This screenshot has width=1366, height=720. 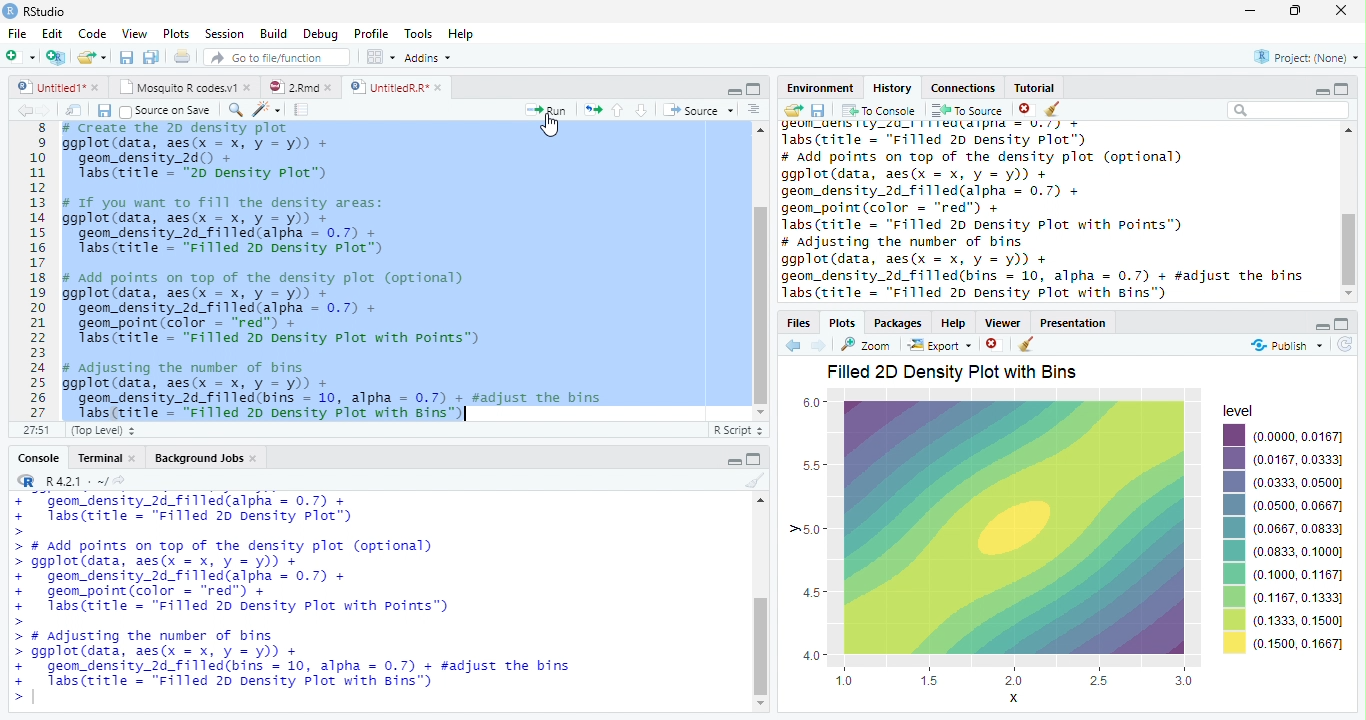 I want to click on Run, so click(x=543, y=111).